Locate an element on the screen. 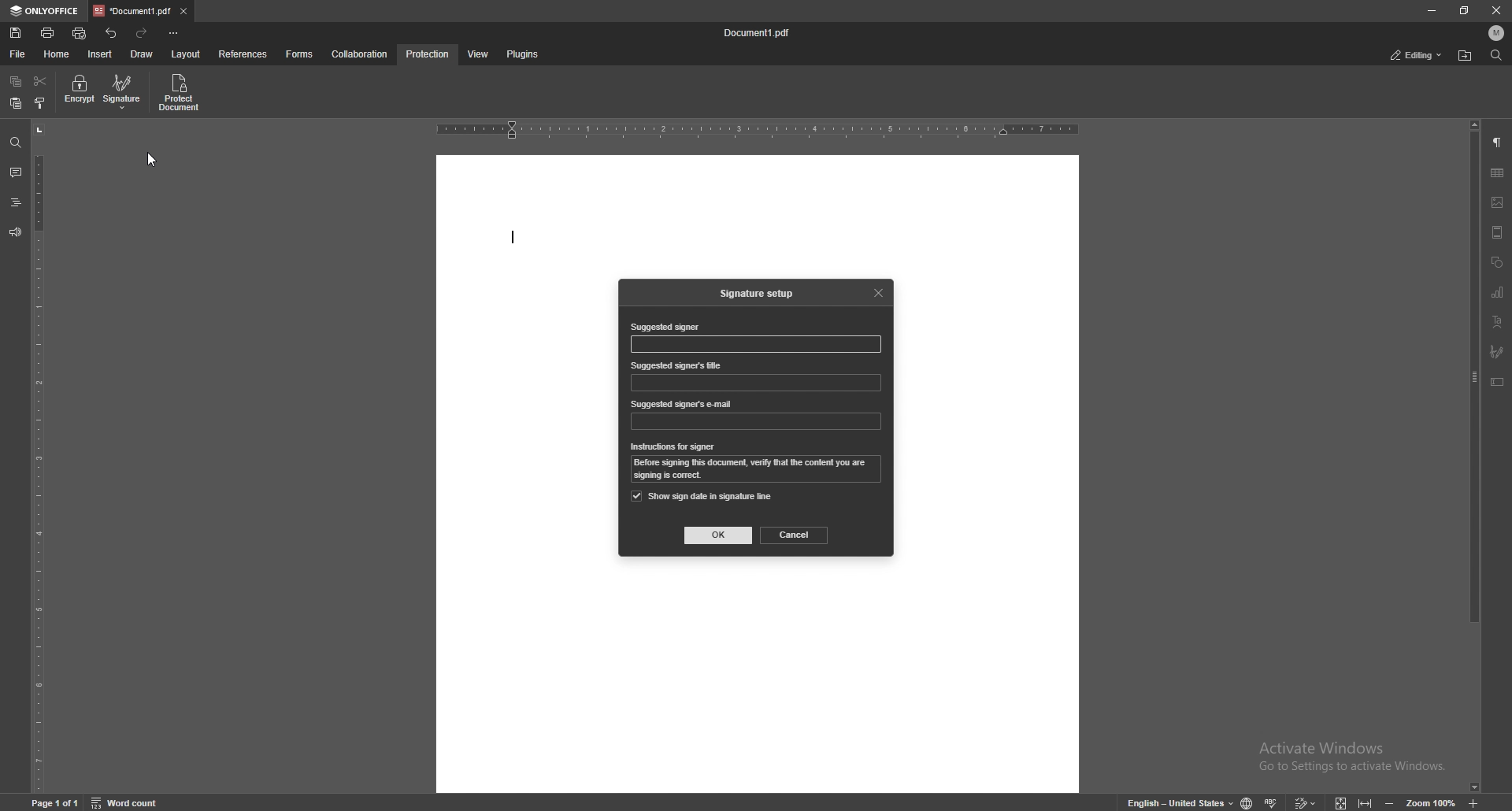 The height and width of the screenshot is (811, 1512). change doc language is located at coordinates (1241, 802).